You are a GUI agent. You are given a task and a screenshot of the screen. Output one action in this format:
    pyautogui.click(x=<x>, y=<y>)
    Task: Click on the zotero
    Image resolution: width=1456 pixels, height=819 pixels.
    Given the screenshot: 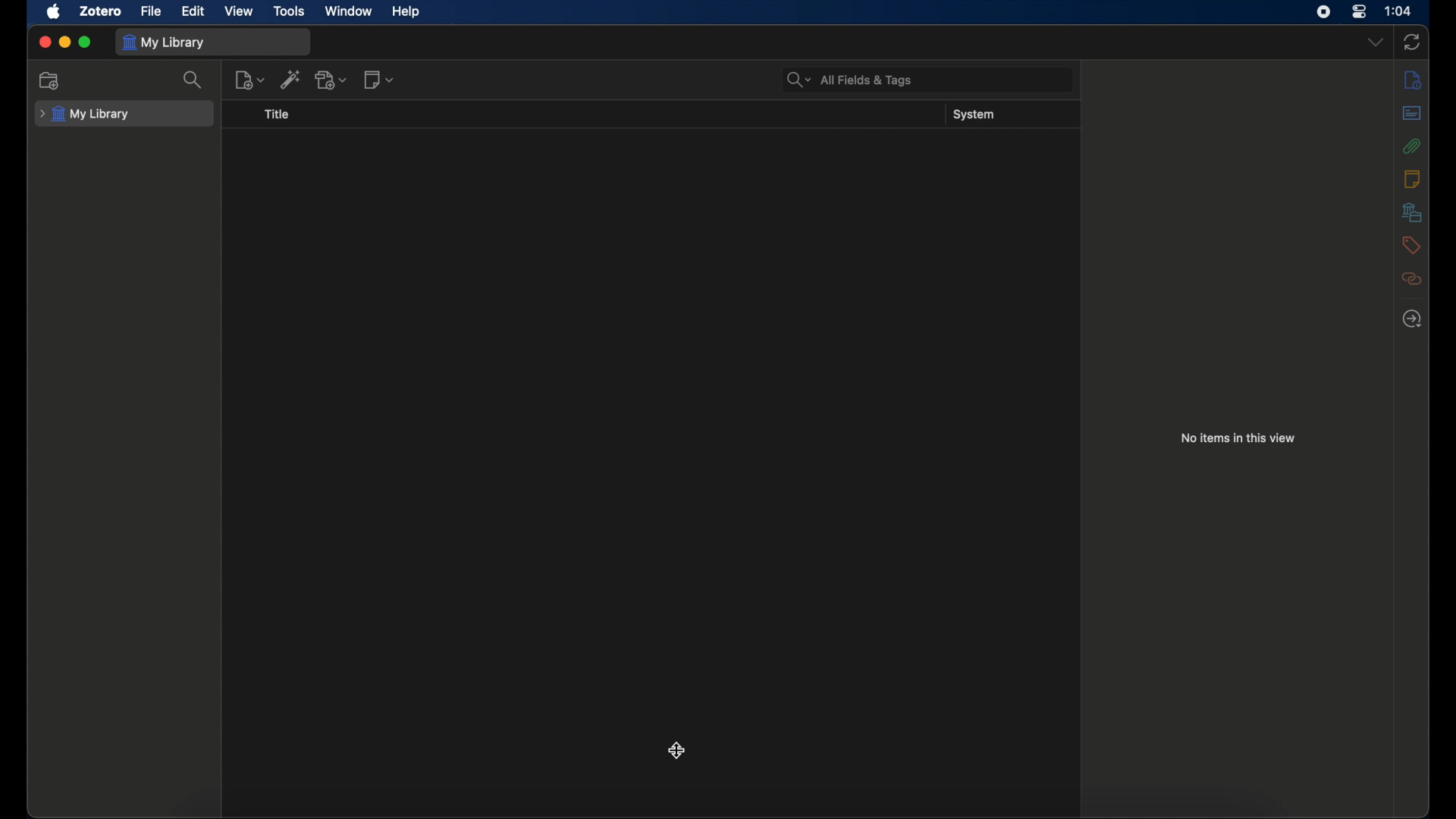 What is the action you would take?
    pyautogui.click(x=102, y=12)
    